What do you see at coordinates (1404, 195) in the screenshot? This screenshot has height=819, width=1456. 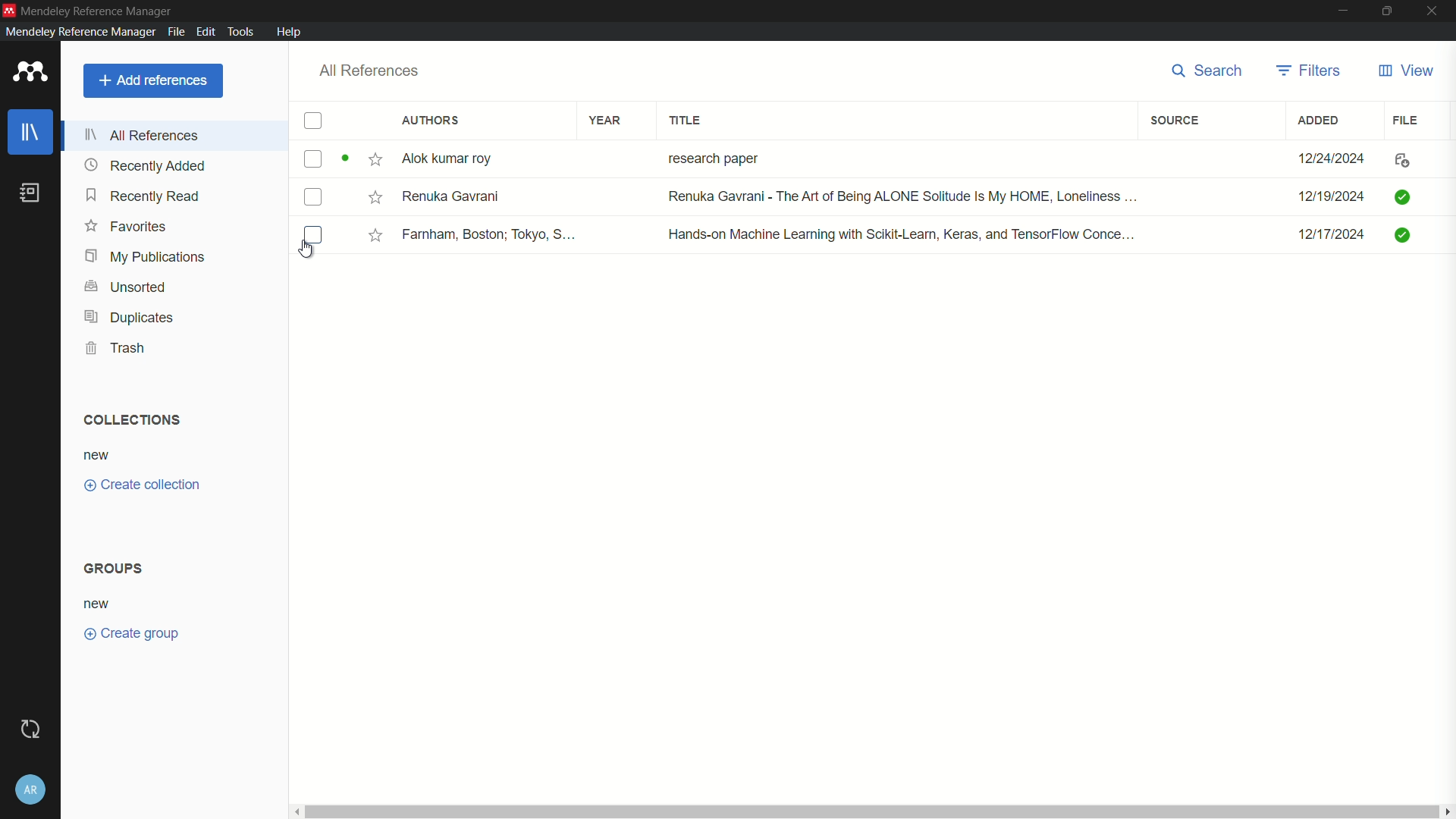 I see `FIle uploaded` at bounding box center [1404, 195].